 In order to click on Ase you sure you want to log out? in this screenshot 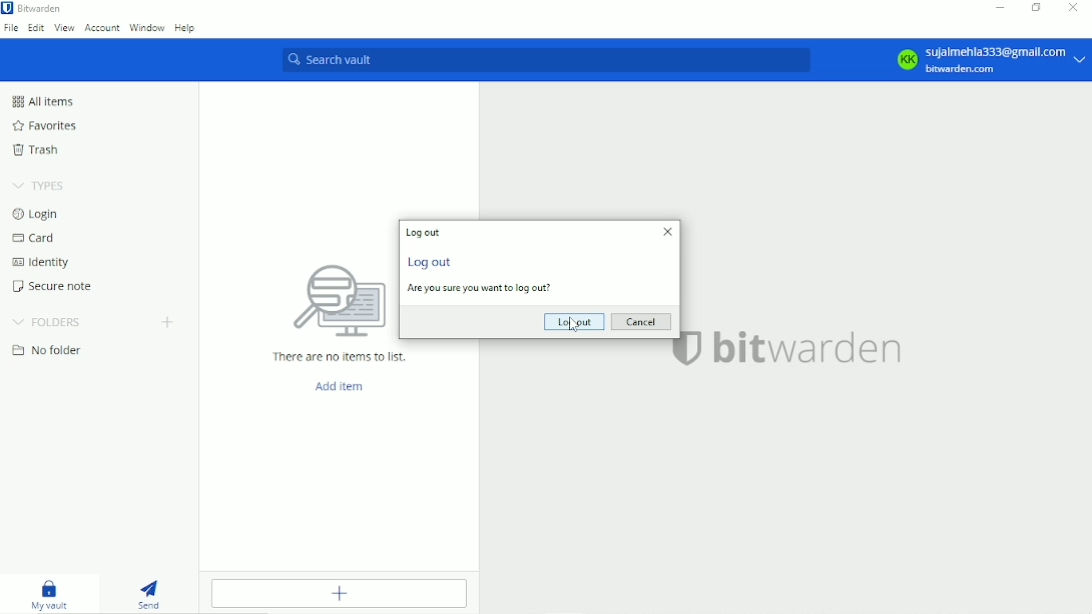, I will do `click(481, 289)`.